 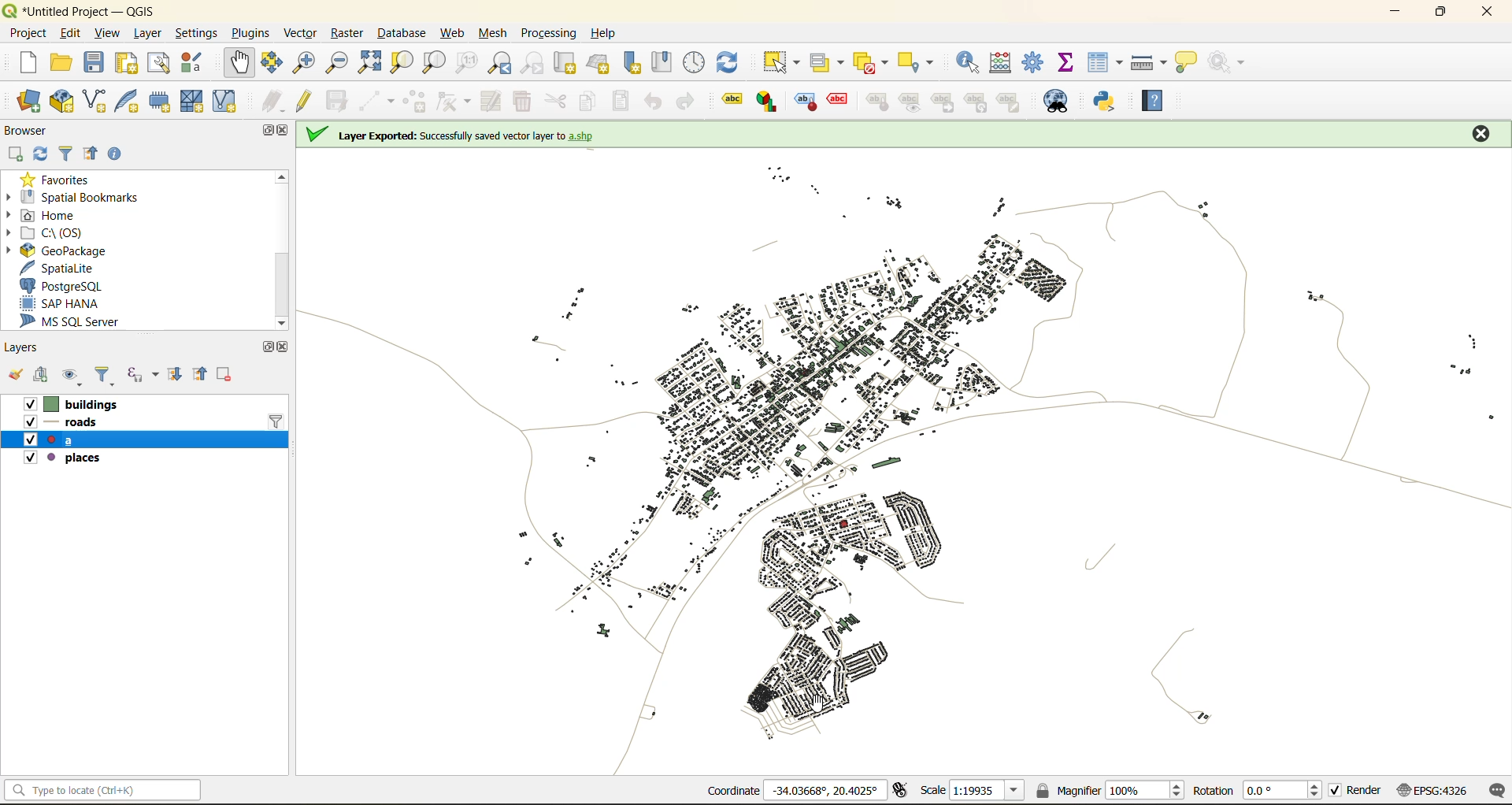 I want to click on close, so click(x=1484, y=13).